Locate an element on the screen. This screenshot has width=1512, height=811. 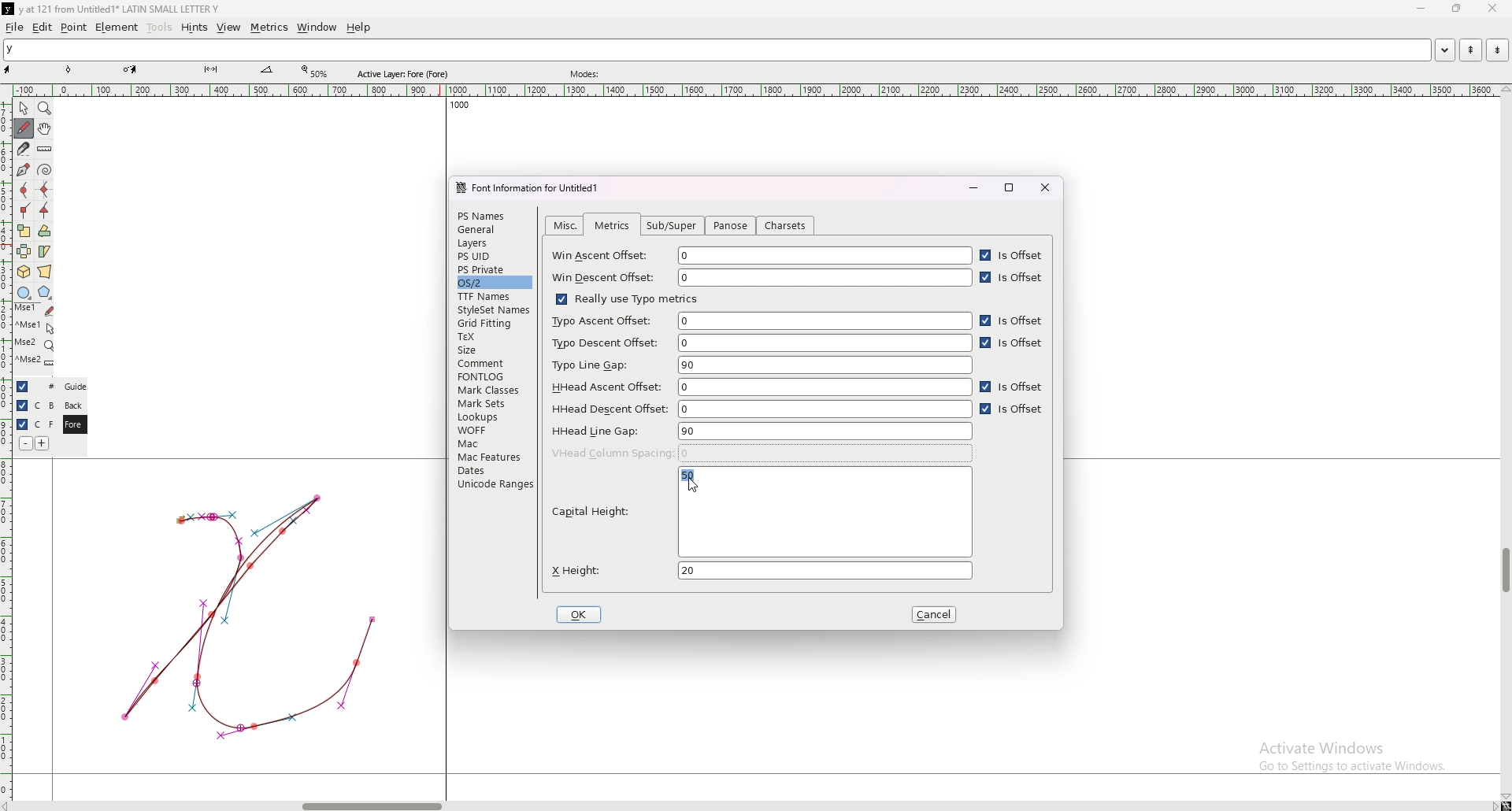
mark sets is located at coordinates (492, 403).